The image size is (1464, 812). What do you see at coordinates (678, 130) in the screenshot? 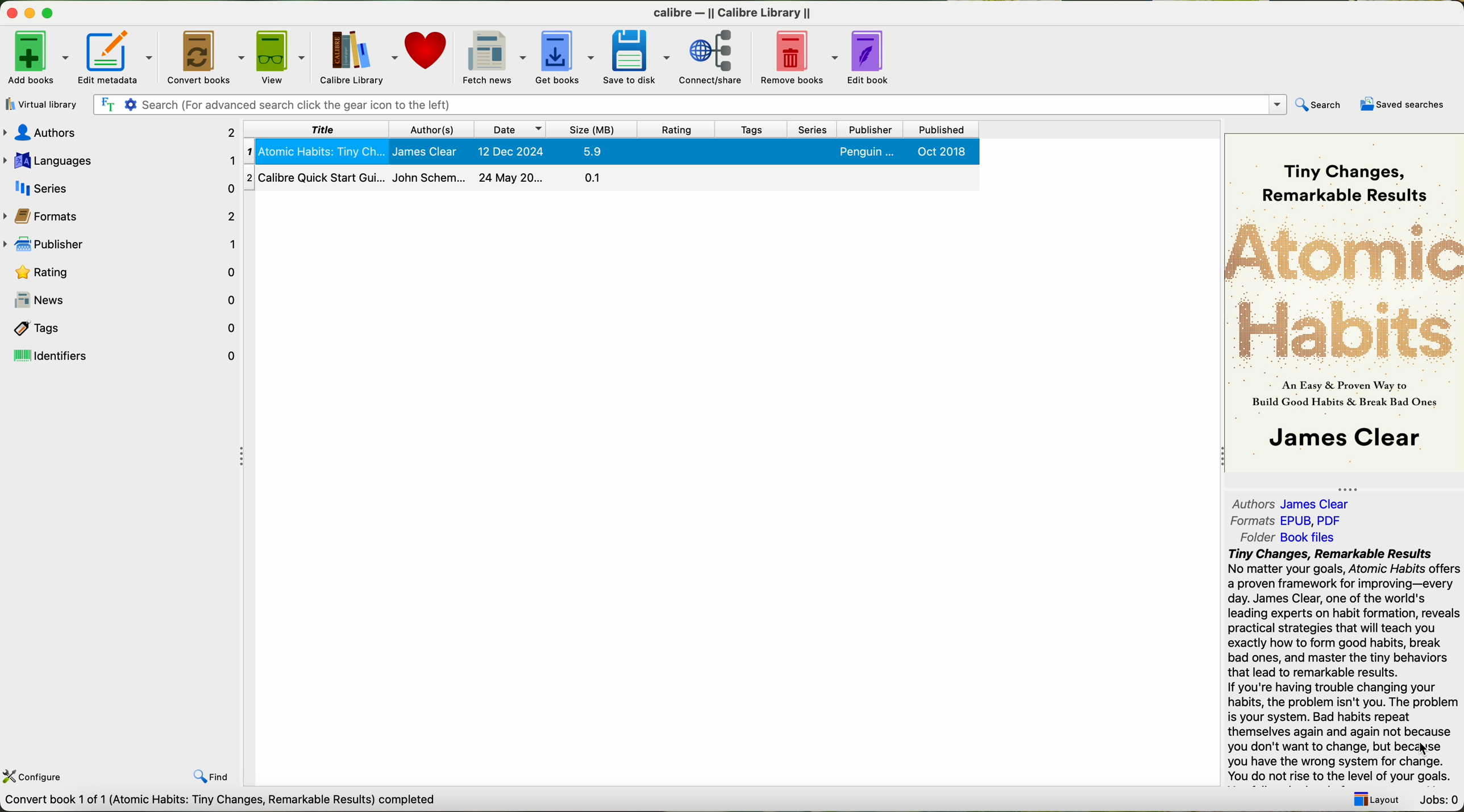
I see `rating` at bounding box center [678, 130].